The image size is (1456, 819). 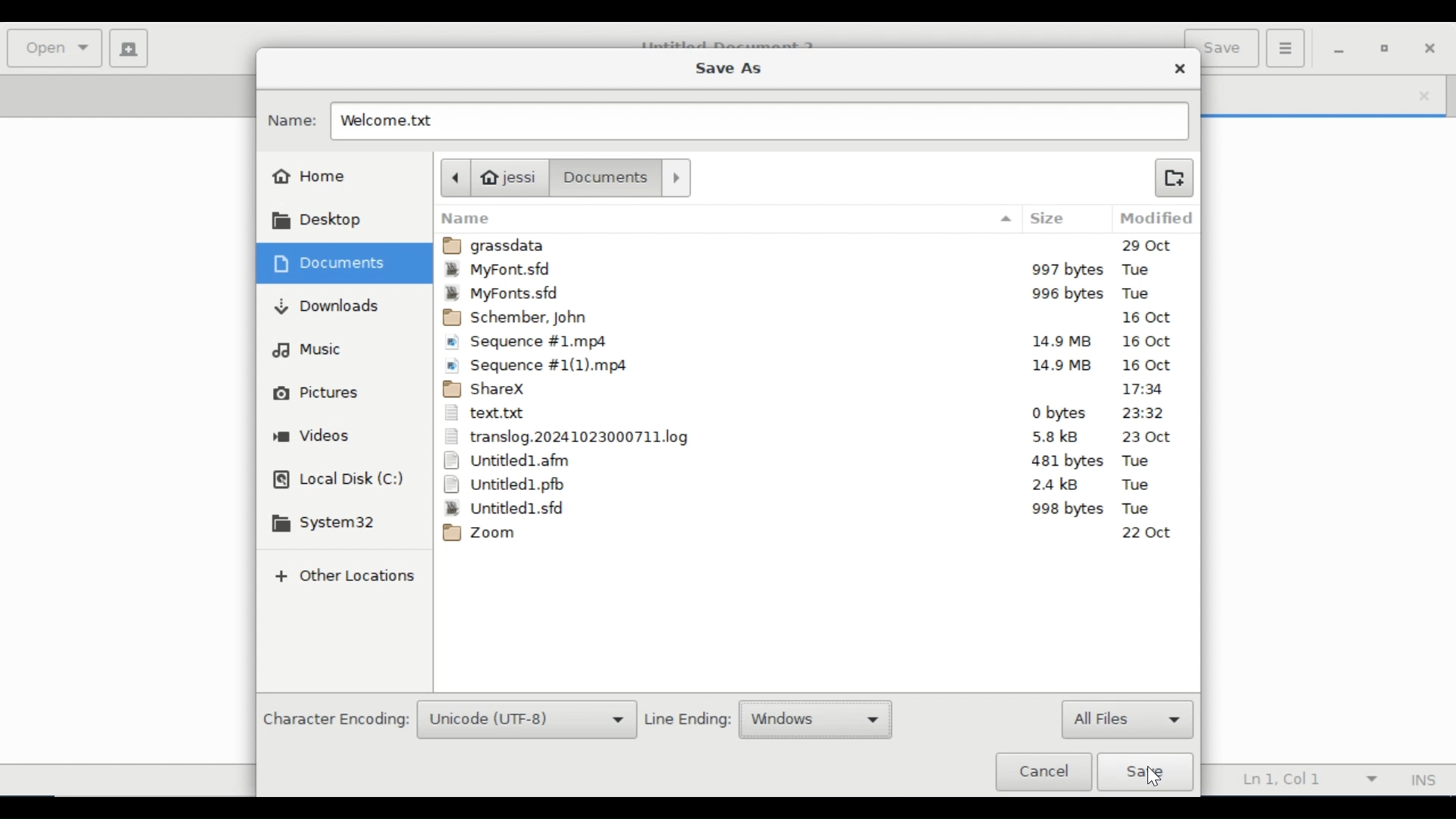 What do you see at coordinates (1285, 47) in the screenshot?
I see `Application menu` at bounding box center [1285, 47].